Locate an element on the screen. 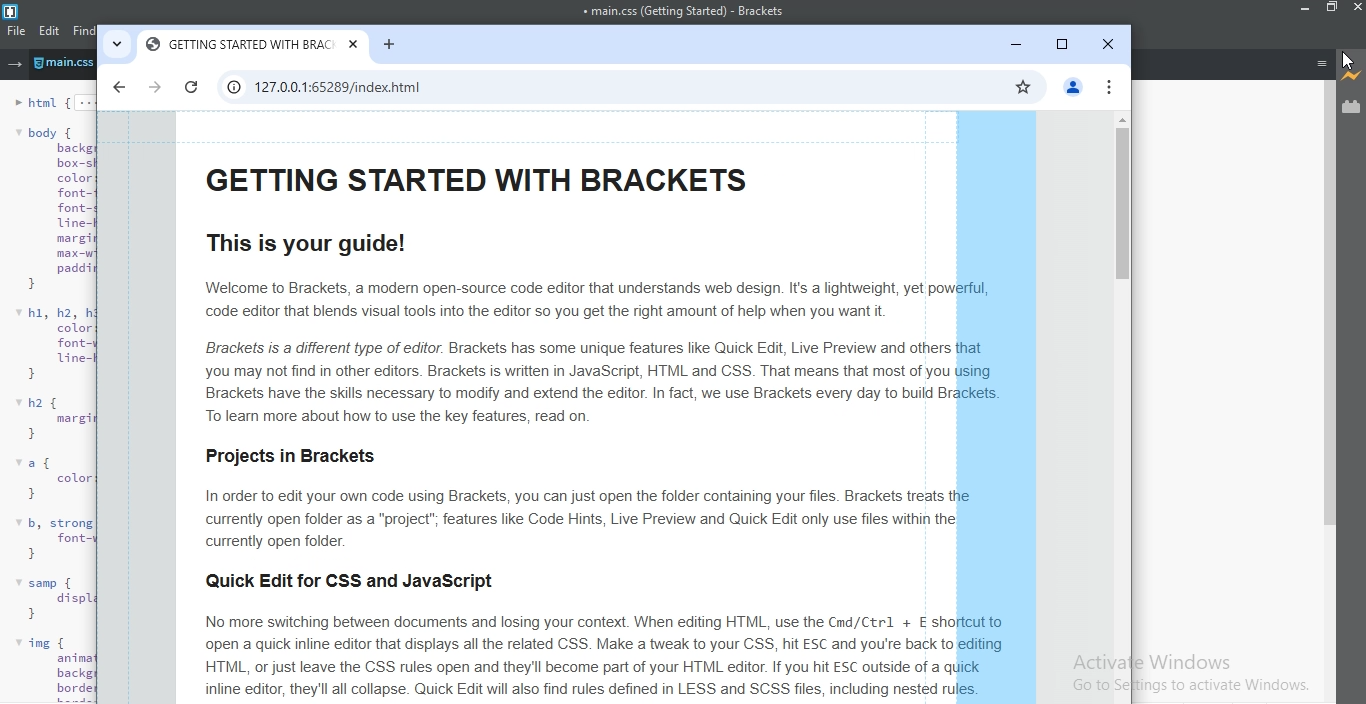  Quick Edit for CSS and JavaScript is located at coordinates (355, 582).